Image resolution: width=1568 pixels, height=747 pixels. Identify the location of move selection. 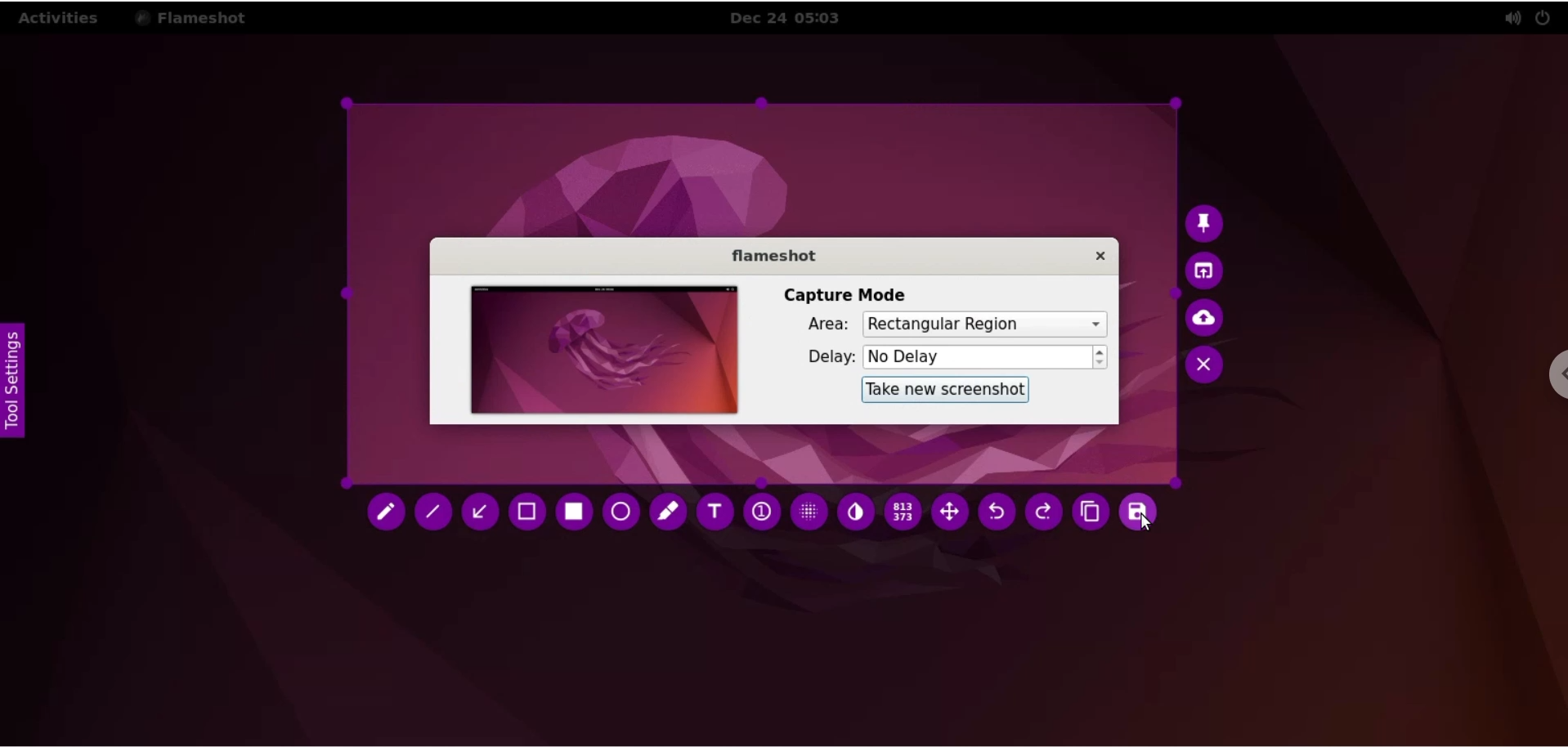
(954, 514).